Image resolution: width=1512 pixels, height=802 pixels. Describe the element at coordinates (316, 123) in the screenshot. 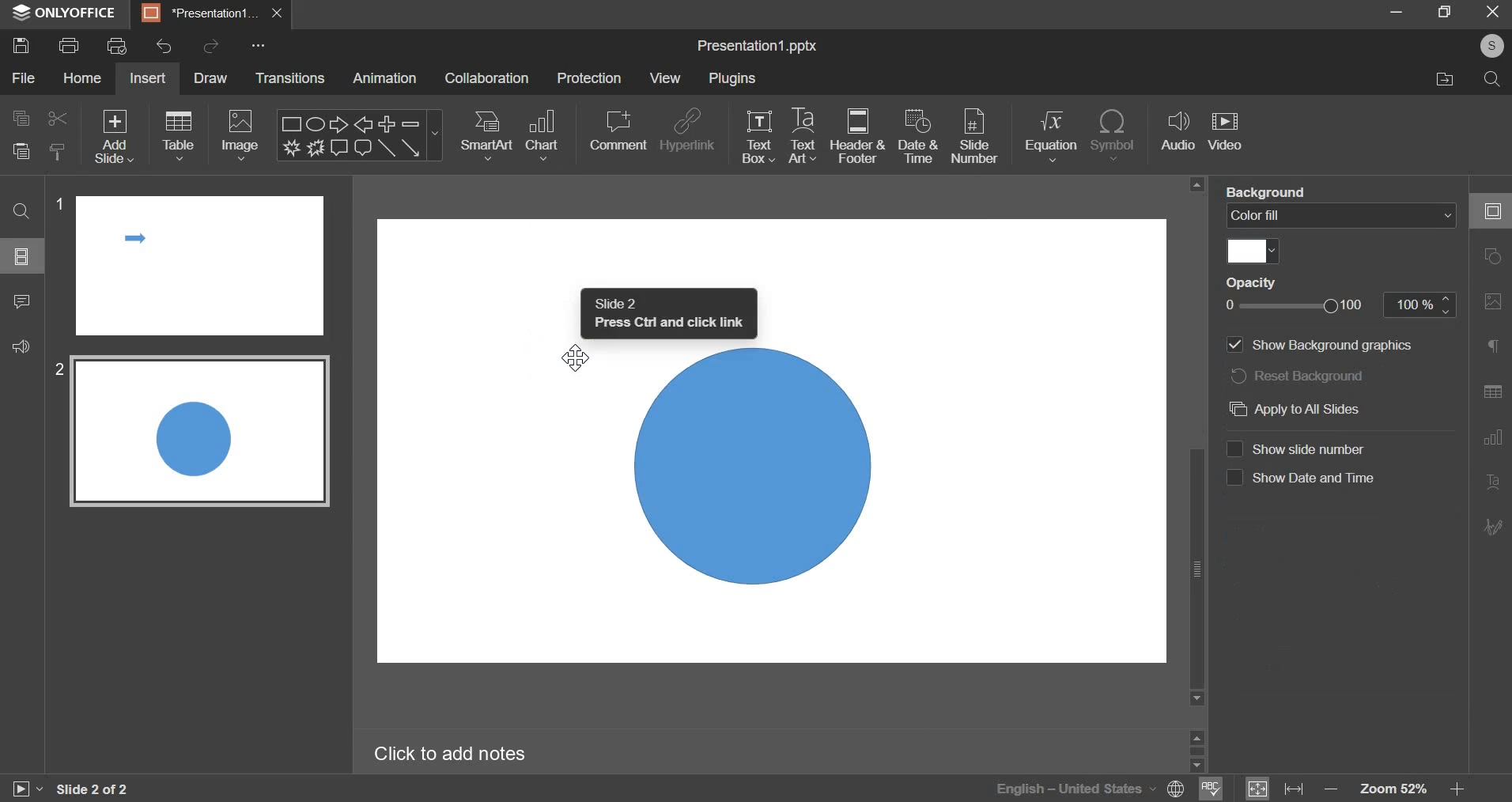

I see `Ellipse` at that location.